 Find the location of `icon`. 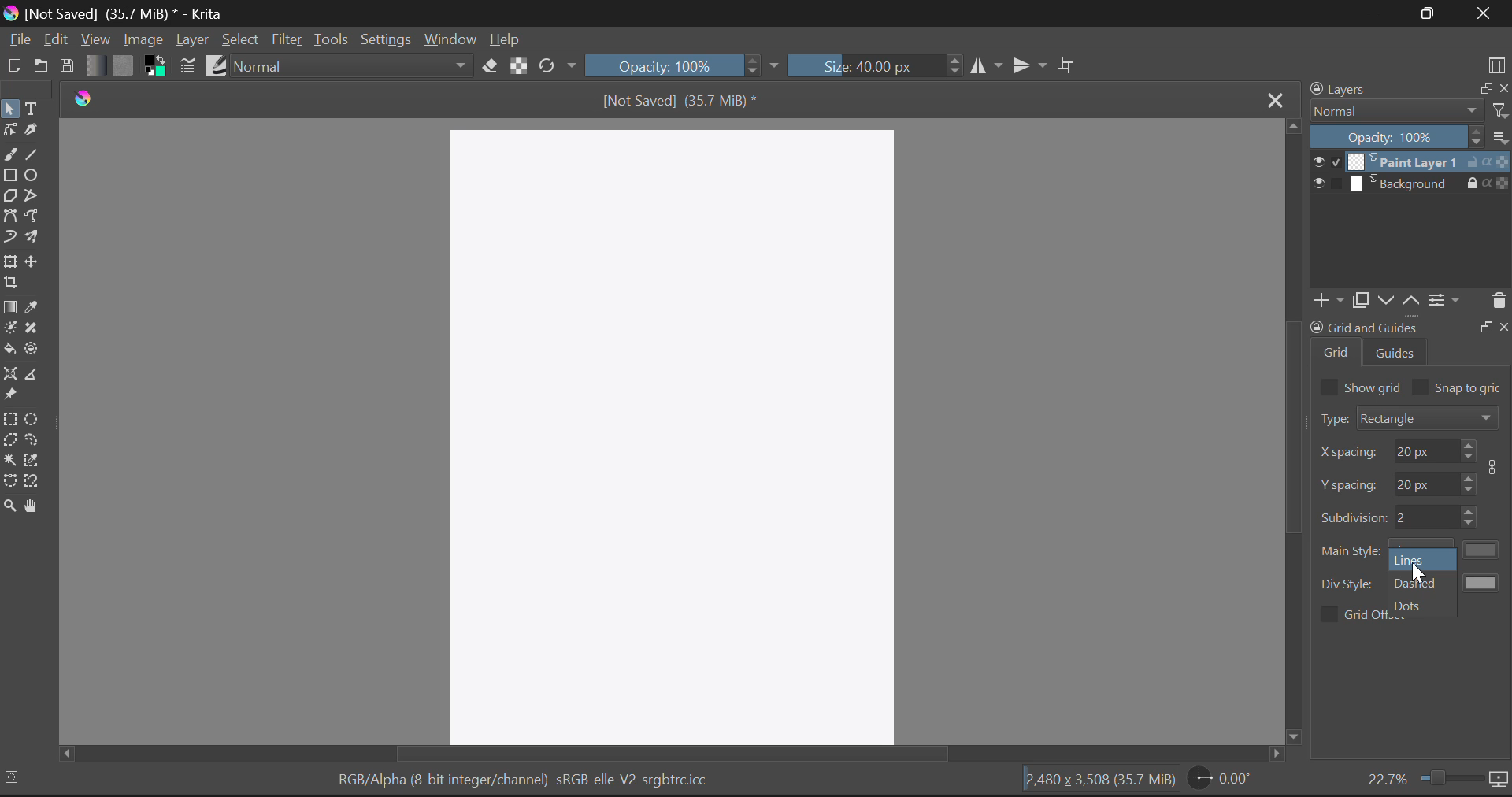

icon is located at coordinates (1499, 780).